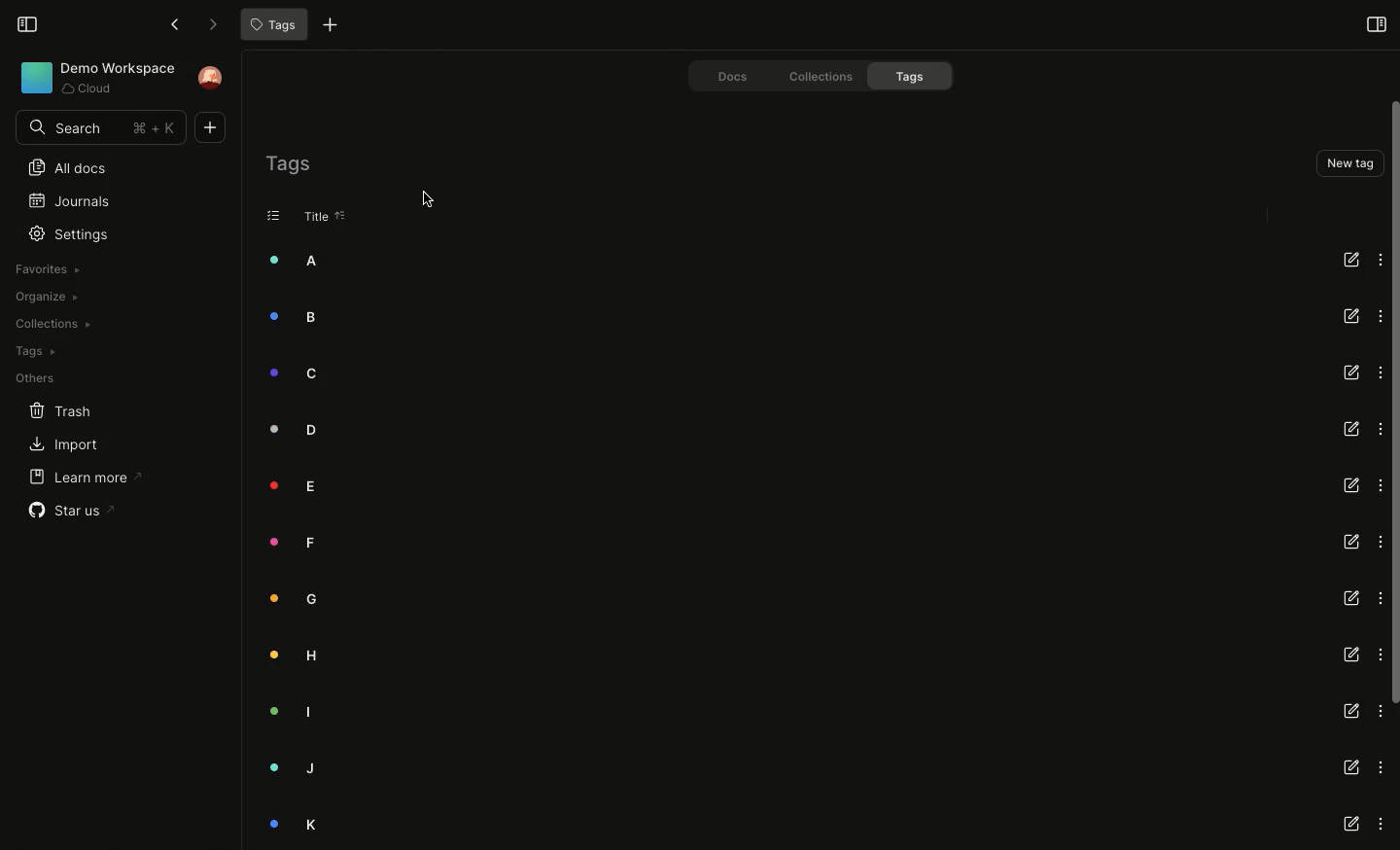 The width and height of the screenshot is (1400, 850). I want to click on Scroll, so click(1391, 404).